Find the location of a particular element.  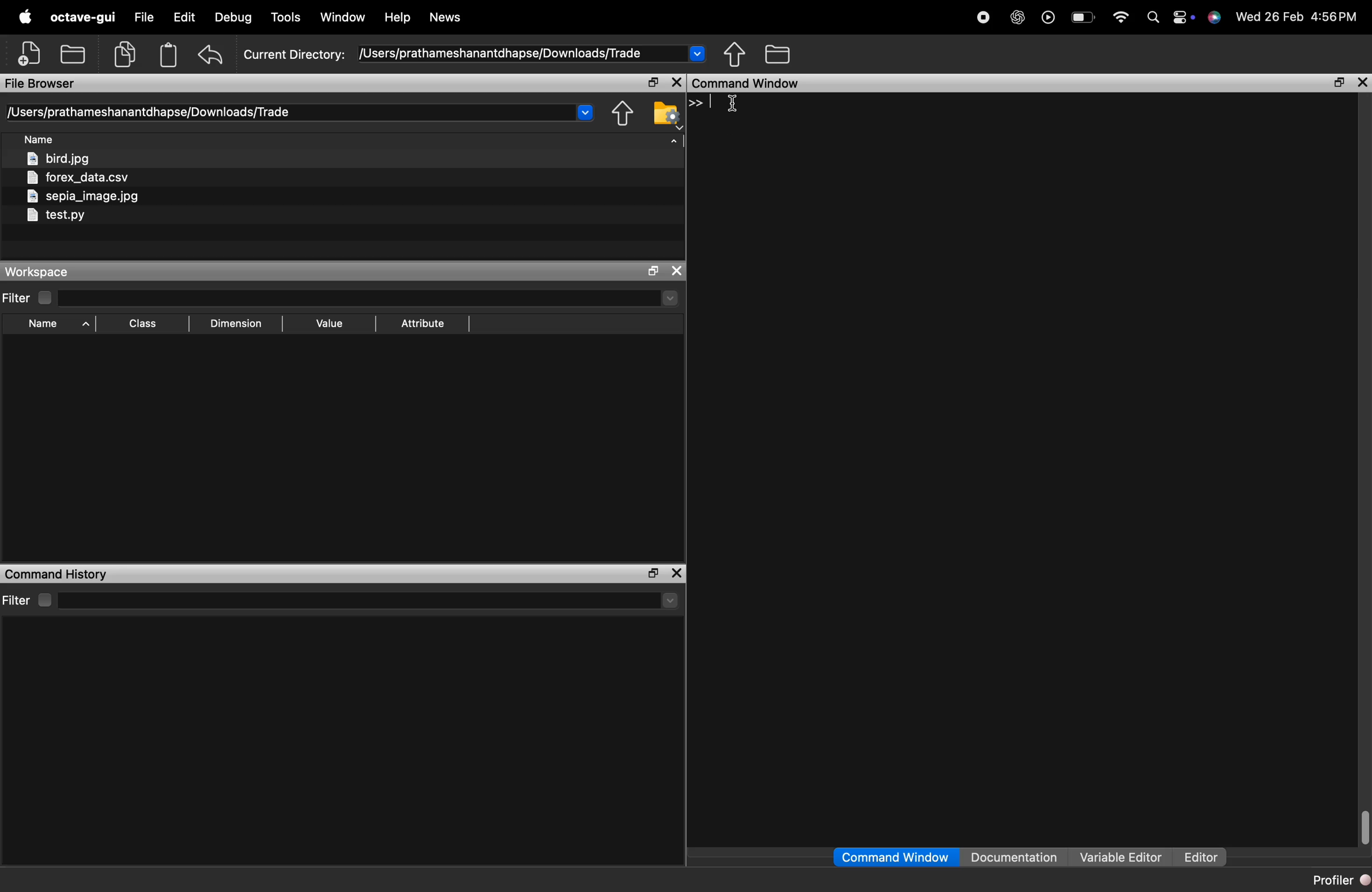

chat gpt is located at coordinates (1019, 17).